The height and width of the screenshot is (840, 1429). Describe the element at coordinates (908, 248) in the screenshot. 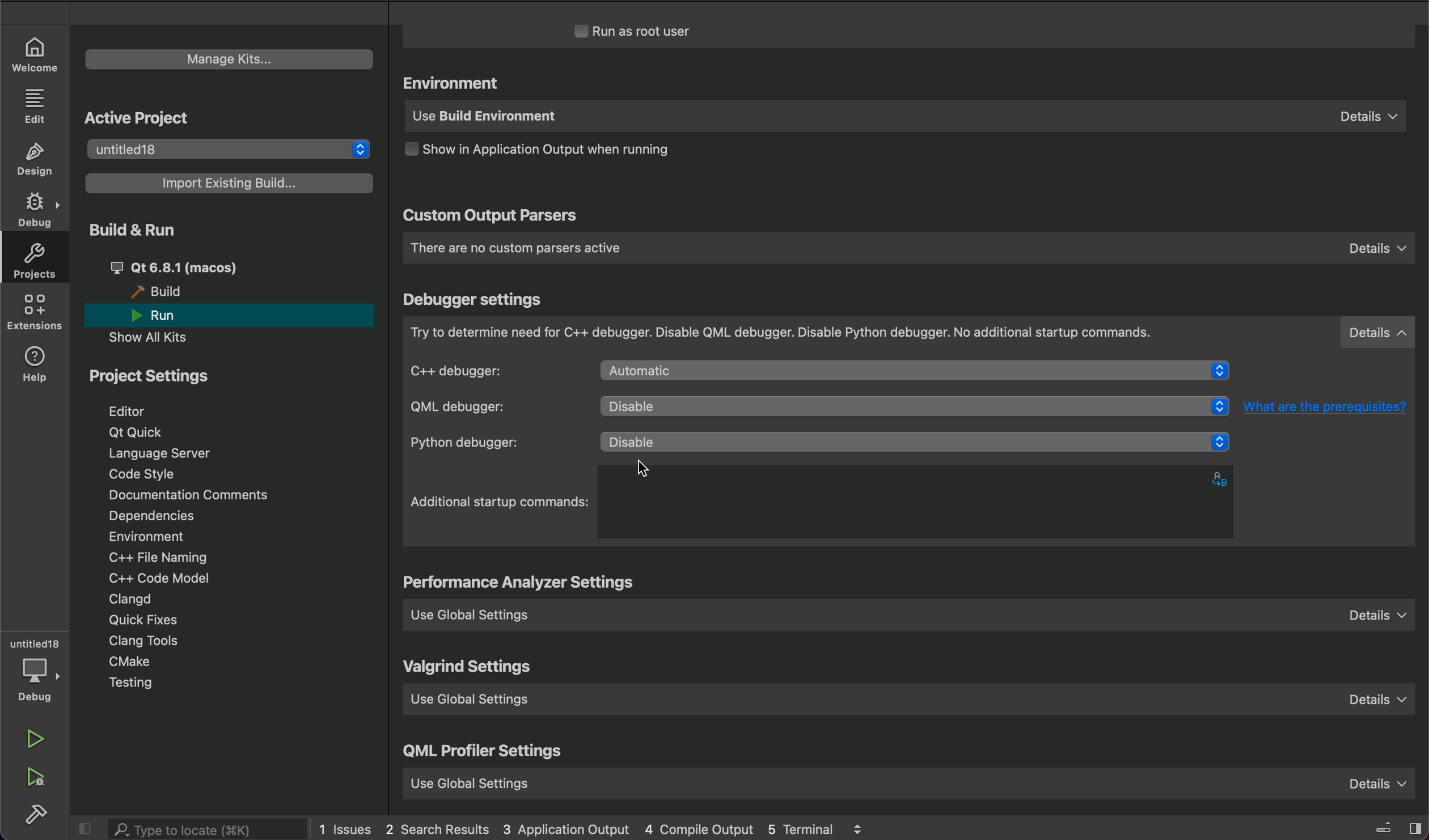

I see `custom parsers` at that location.